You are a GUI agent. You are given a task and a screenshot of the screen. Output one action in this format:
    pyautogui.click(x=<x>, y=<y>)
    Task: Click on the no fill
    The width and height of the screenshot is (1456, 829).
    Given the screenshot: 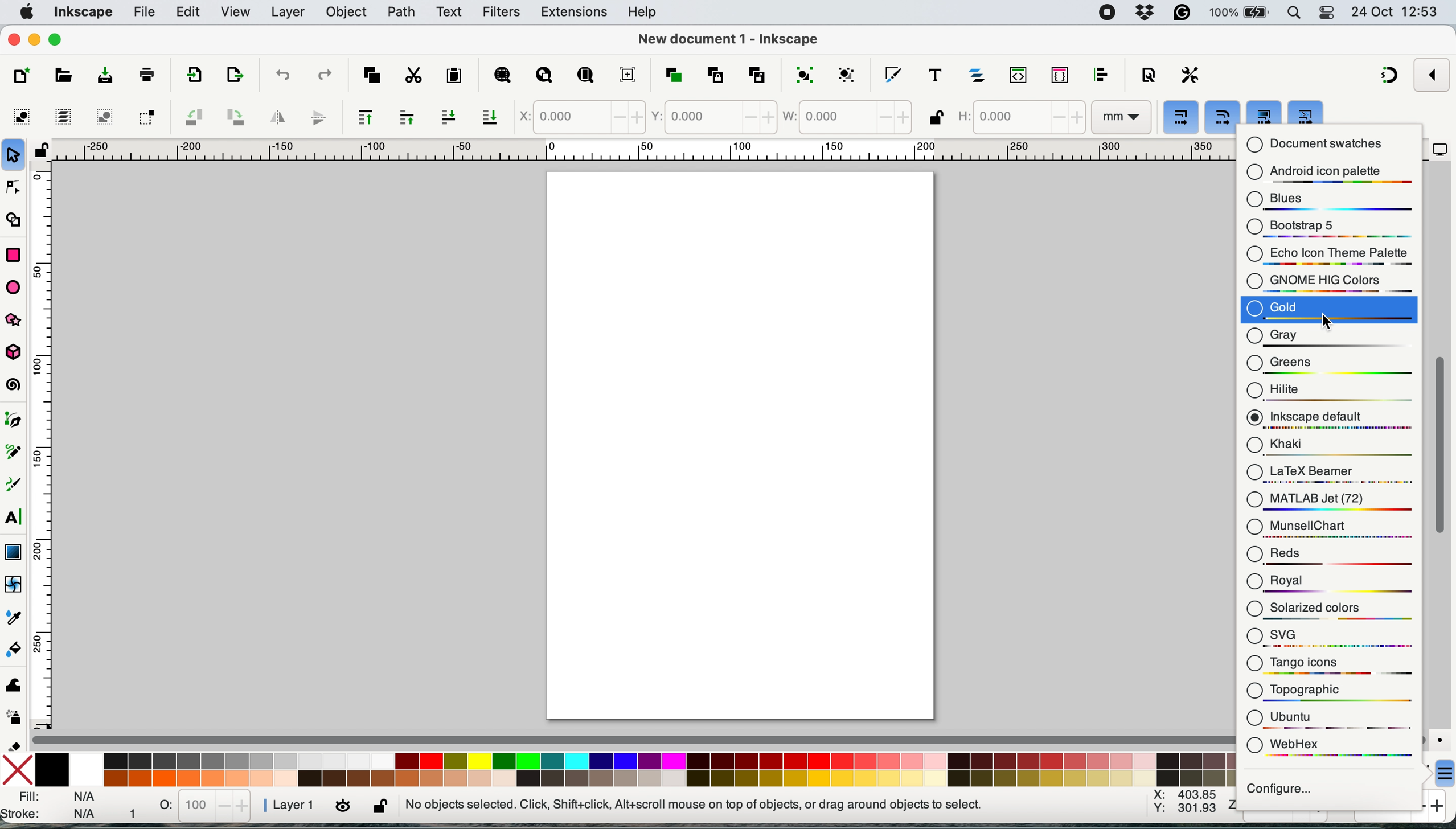 What is the action you would take?
    pyautogui.click(x=18, y=771)
    